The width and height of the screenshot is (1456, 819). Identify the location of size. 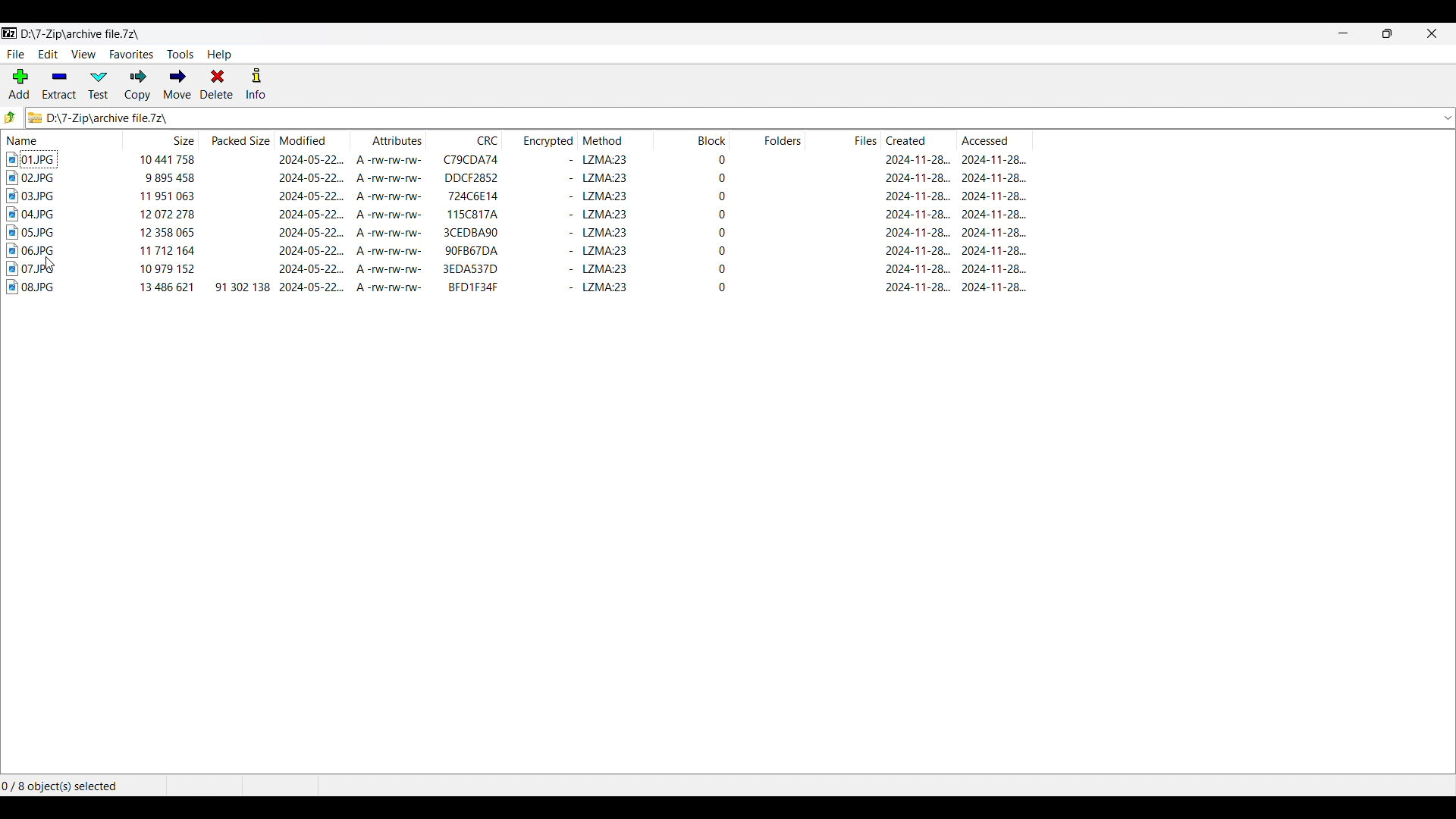
(167, 268).